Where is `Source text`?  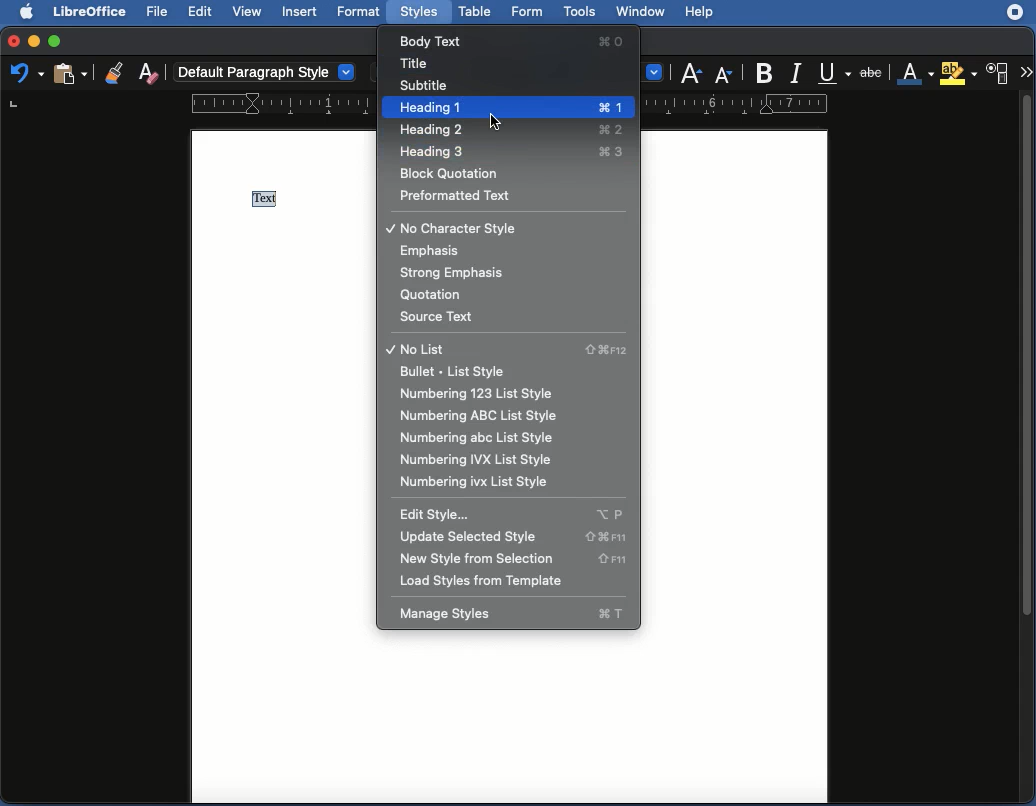
Source text is located at coordinates (444, 317).